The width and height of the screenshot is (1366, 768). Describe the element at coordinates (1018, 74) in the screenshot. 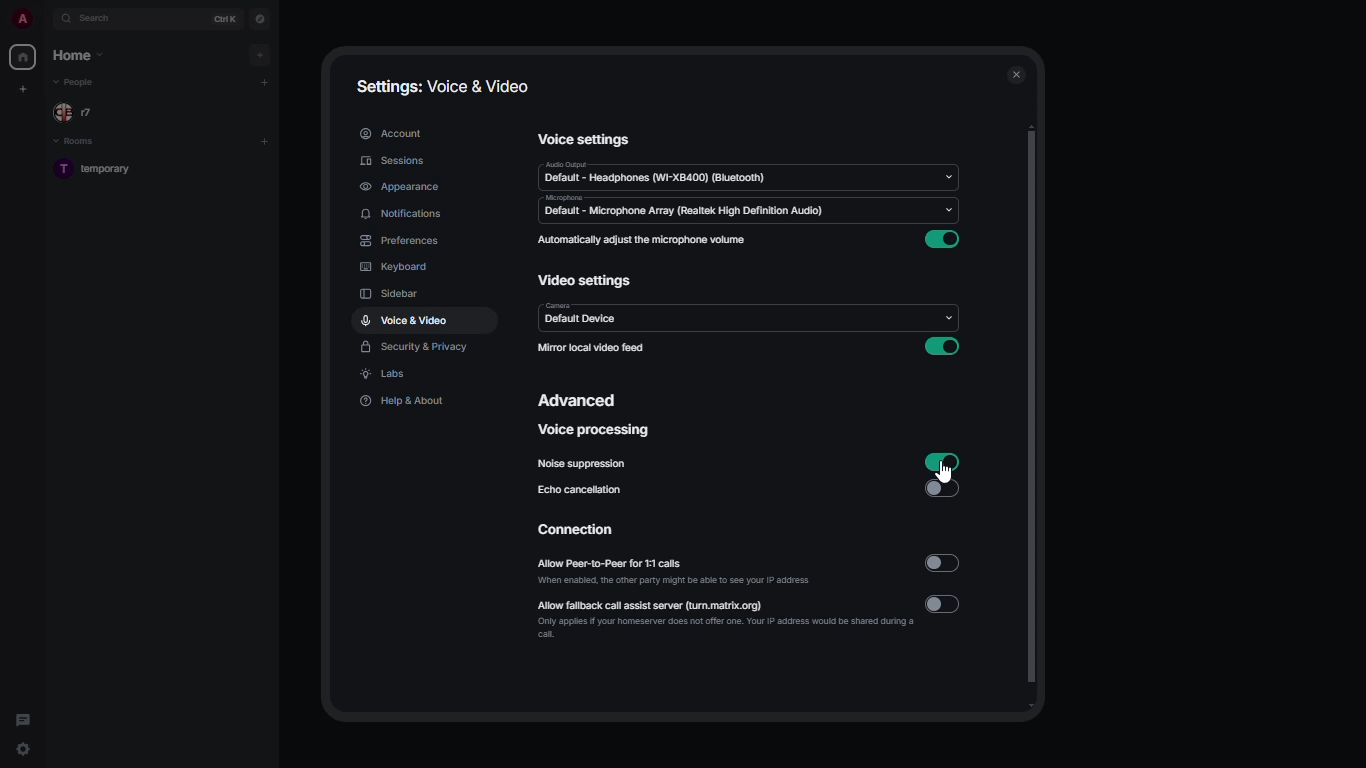

I see `close` at that location.